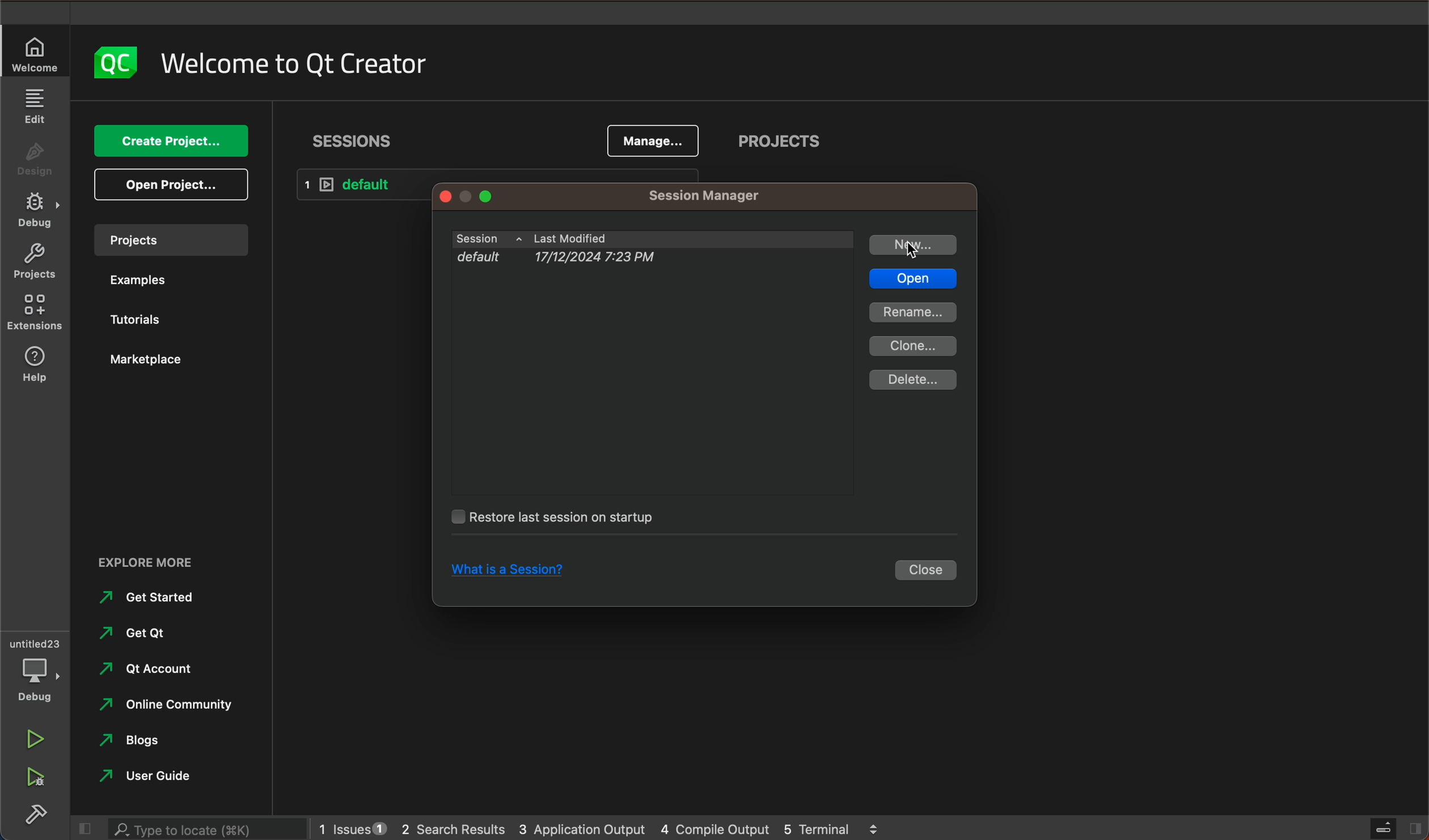  I want to click on terminal, so click(832, 826).